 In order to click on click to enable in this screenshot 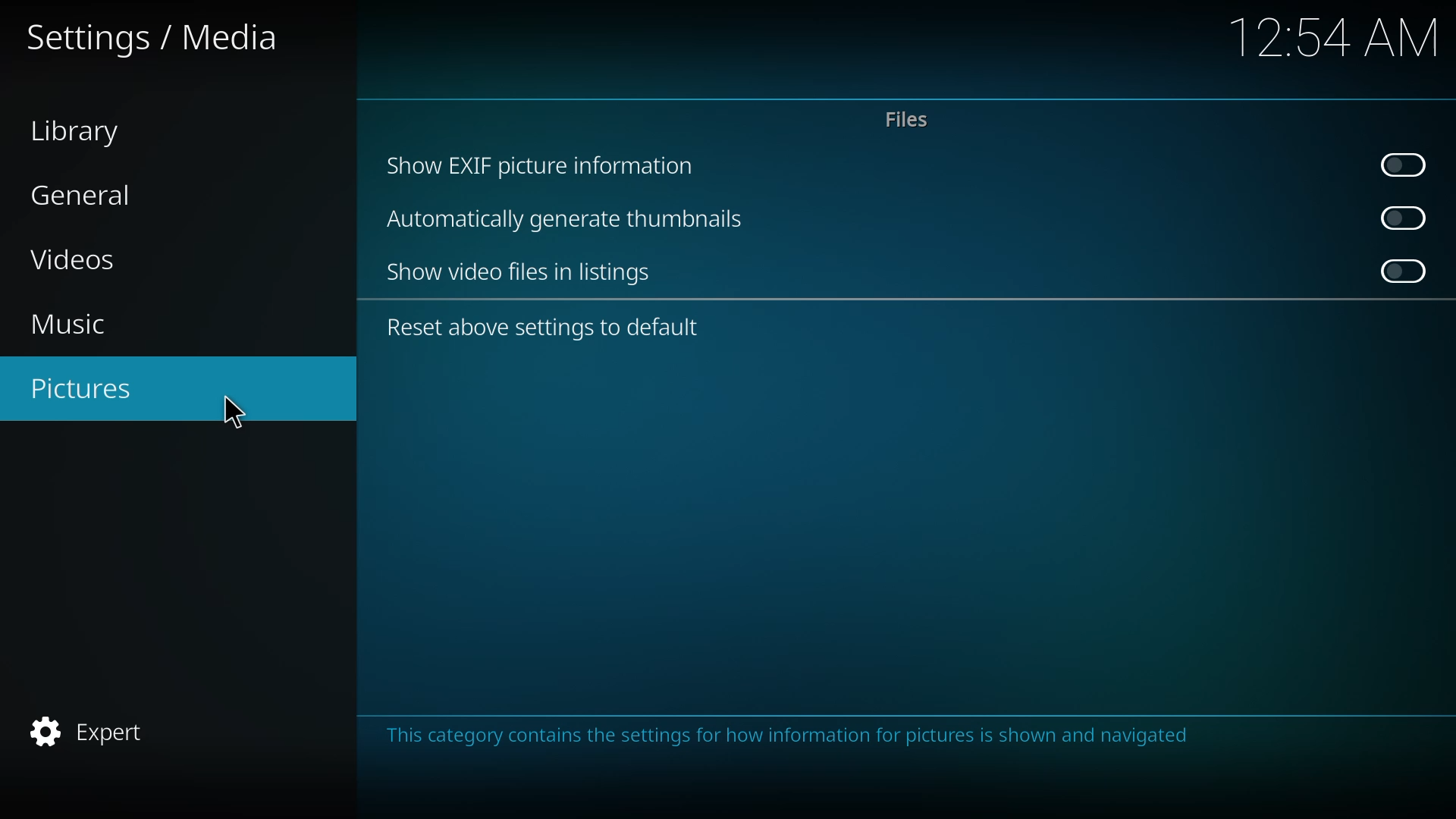, I will do `click(1400, 270)`.